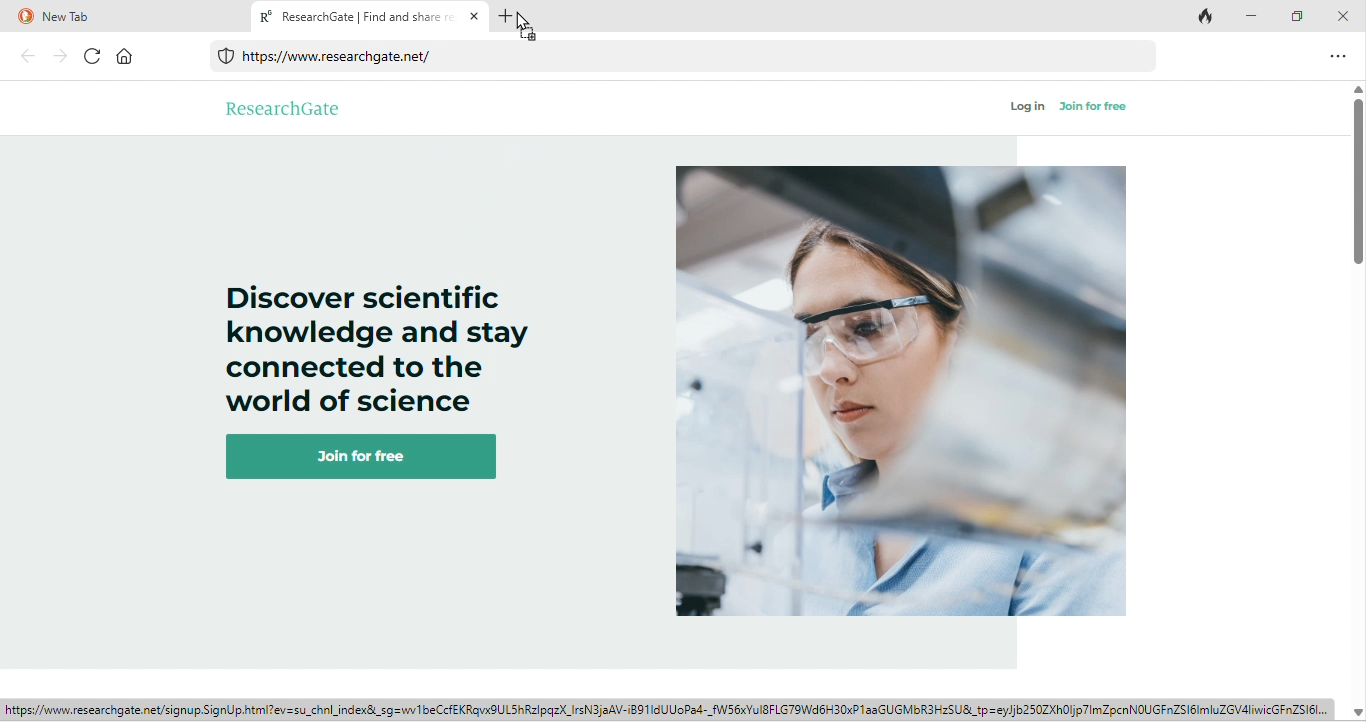 This screenshot has height=722, width=1366. Describe the element at coordinates (126, 57) in the screenshot. I see `Home` at that location.